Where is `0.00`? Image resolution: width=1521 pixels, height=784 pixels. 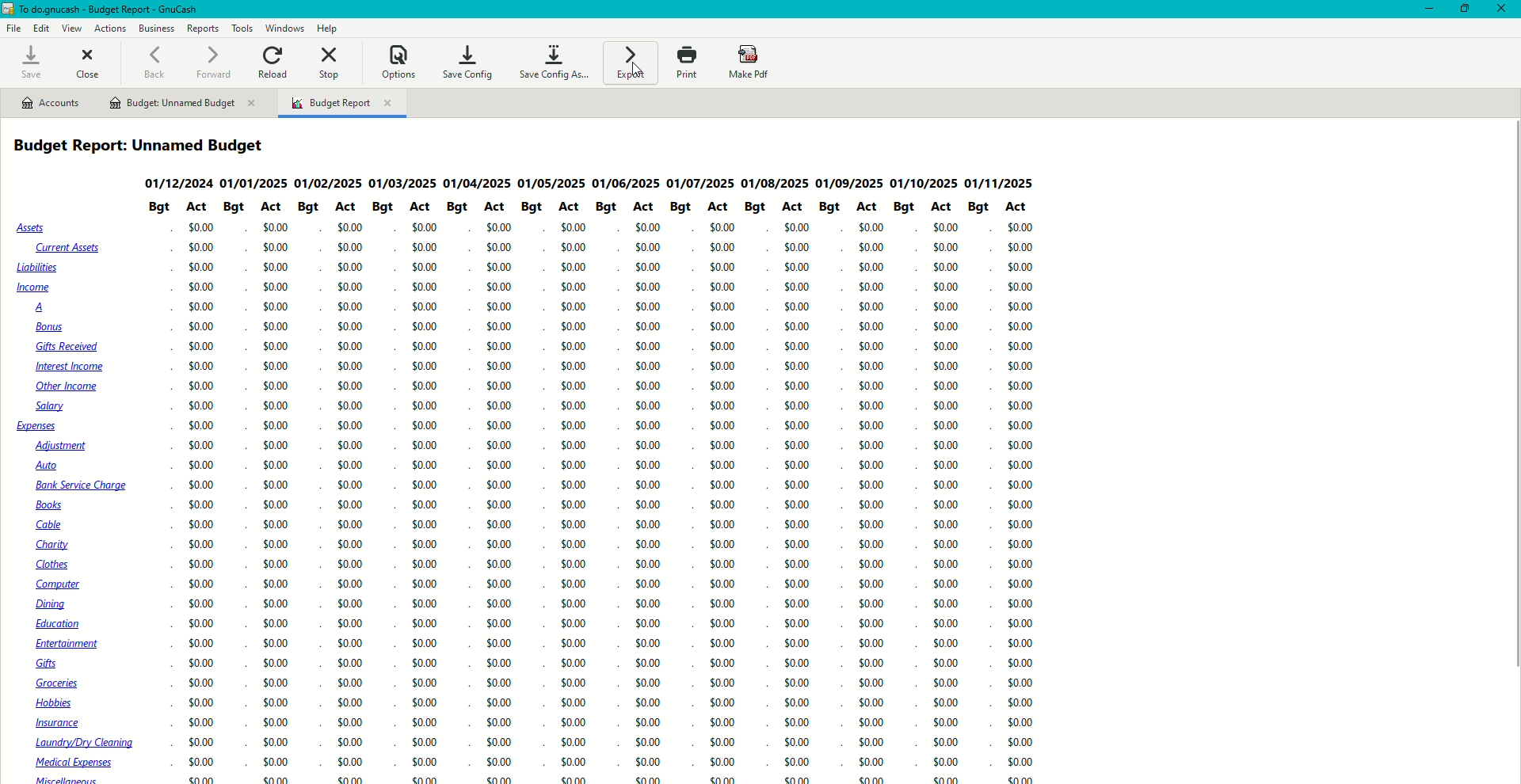
0.00 is located at coordinates (276, 327).